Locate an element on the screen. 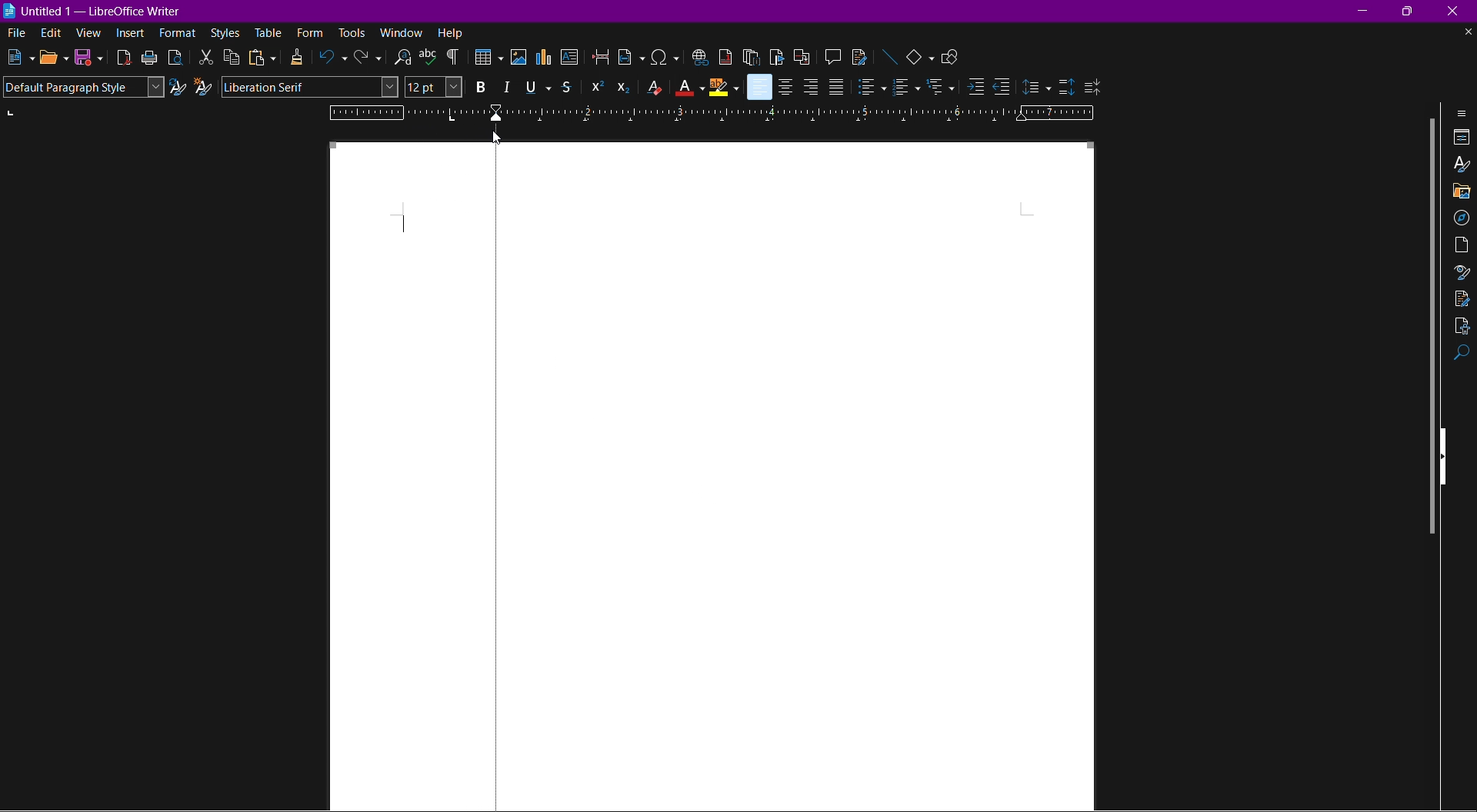  Insert Comment is located at coordinates (829, 55).